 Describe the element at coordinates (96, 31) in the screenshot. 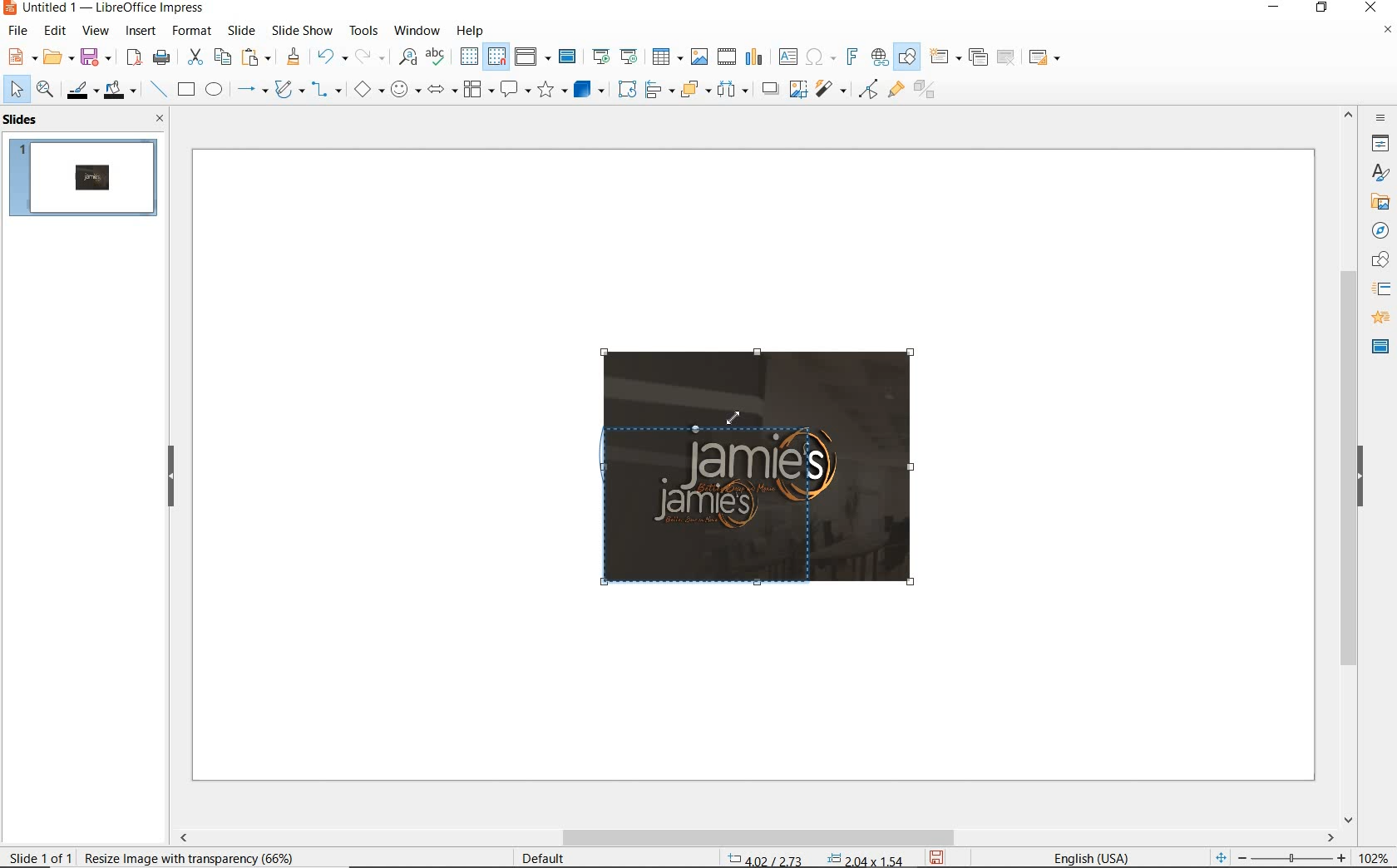

I see `view` at that location.